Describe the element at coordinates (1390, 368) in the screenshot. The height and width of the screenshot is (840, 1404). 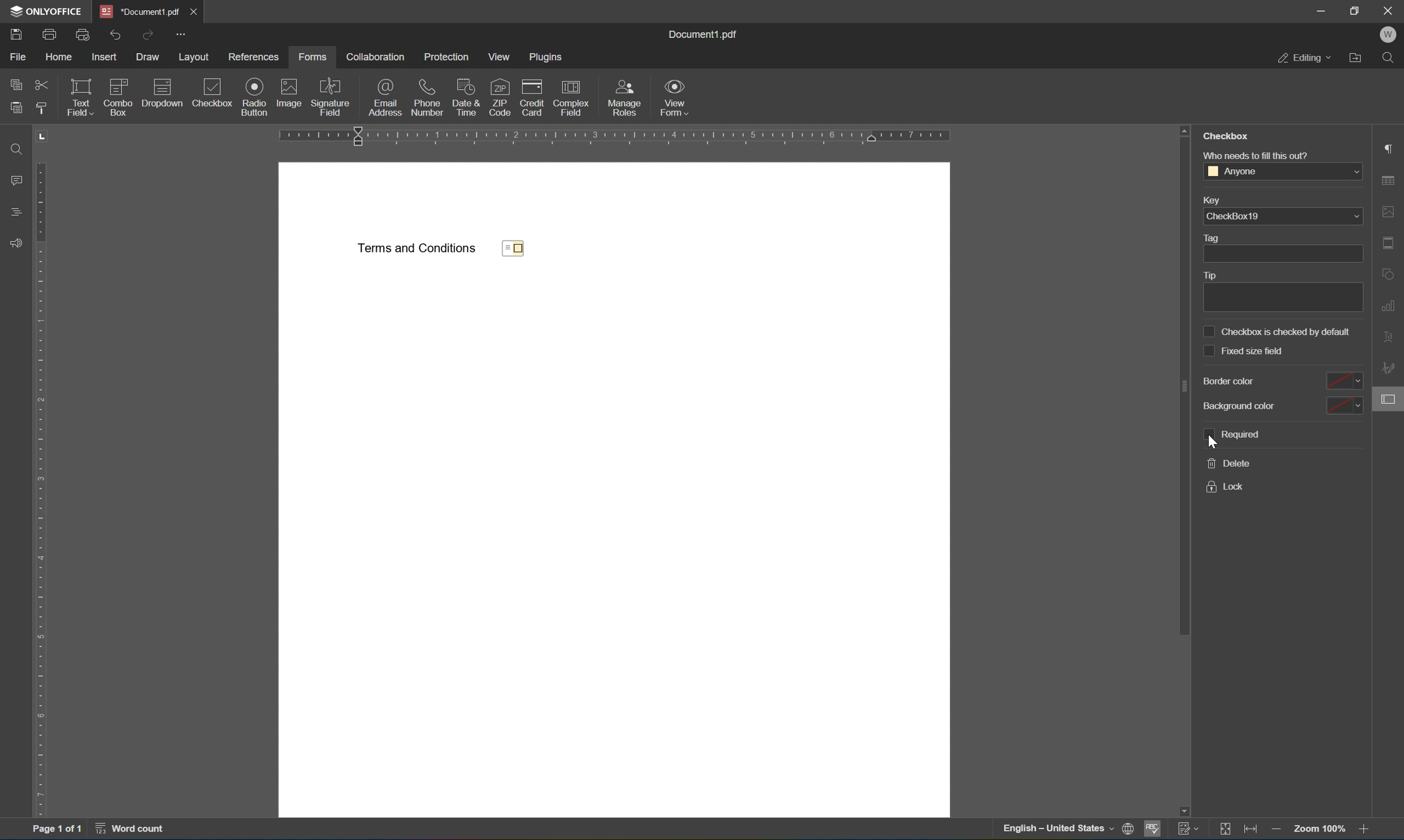
I see `signature settings` at that location.